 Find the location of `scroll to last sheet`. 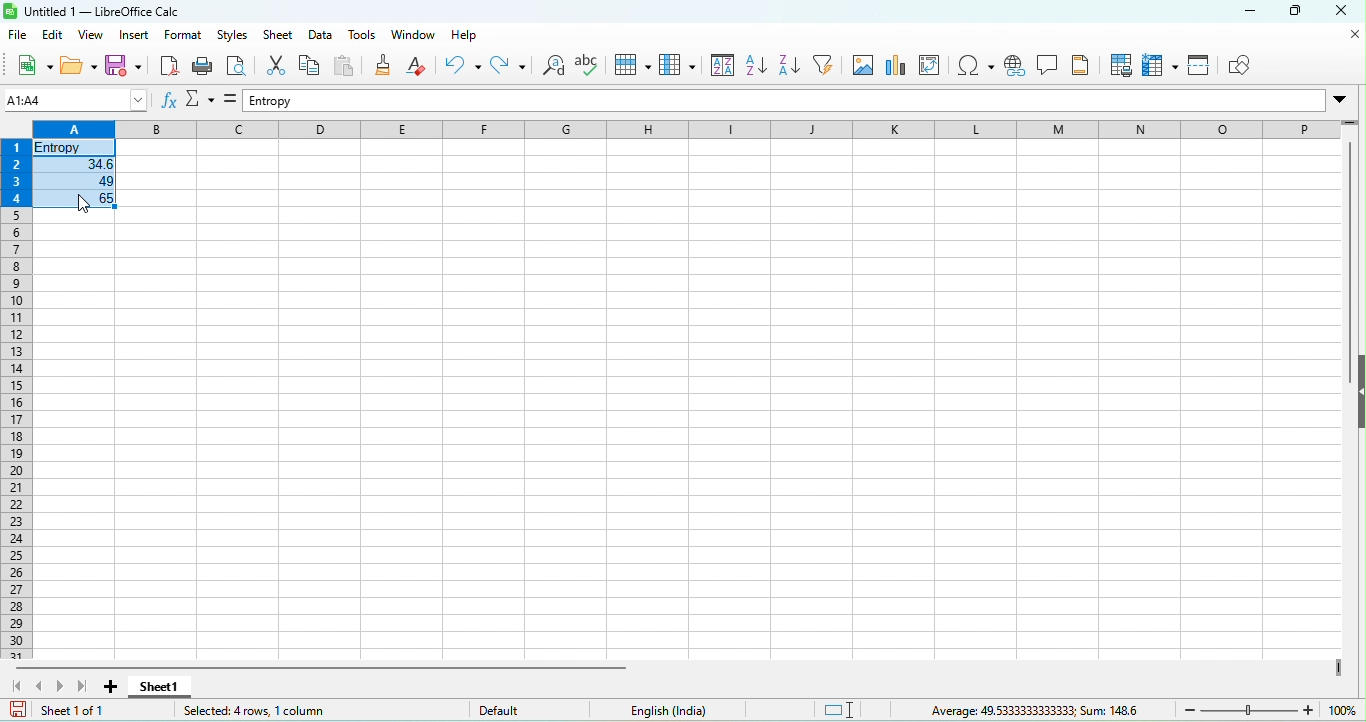

scroll to last sheet is located at coordinates (84, 686).